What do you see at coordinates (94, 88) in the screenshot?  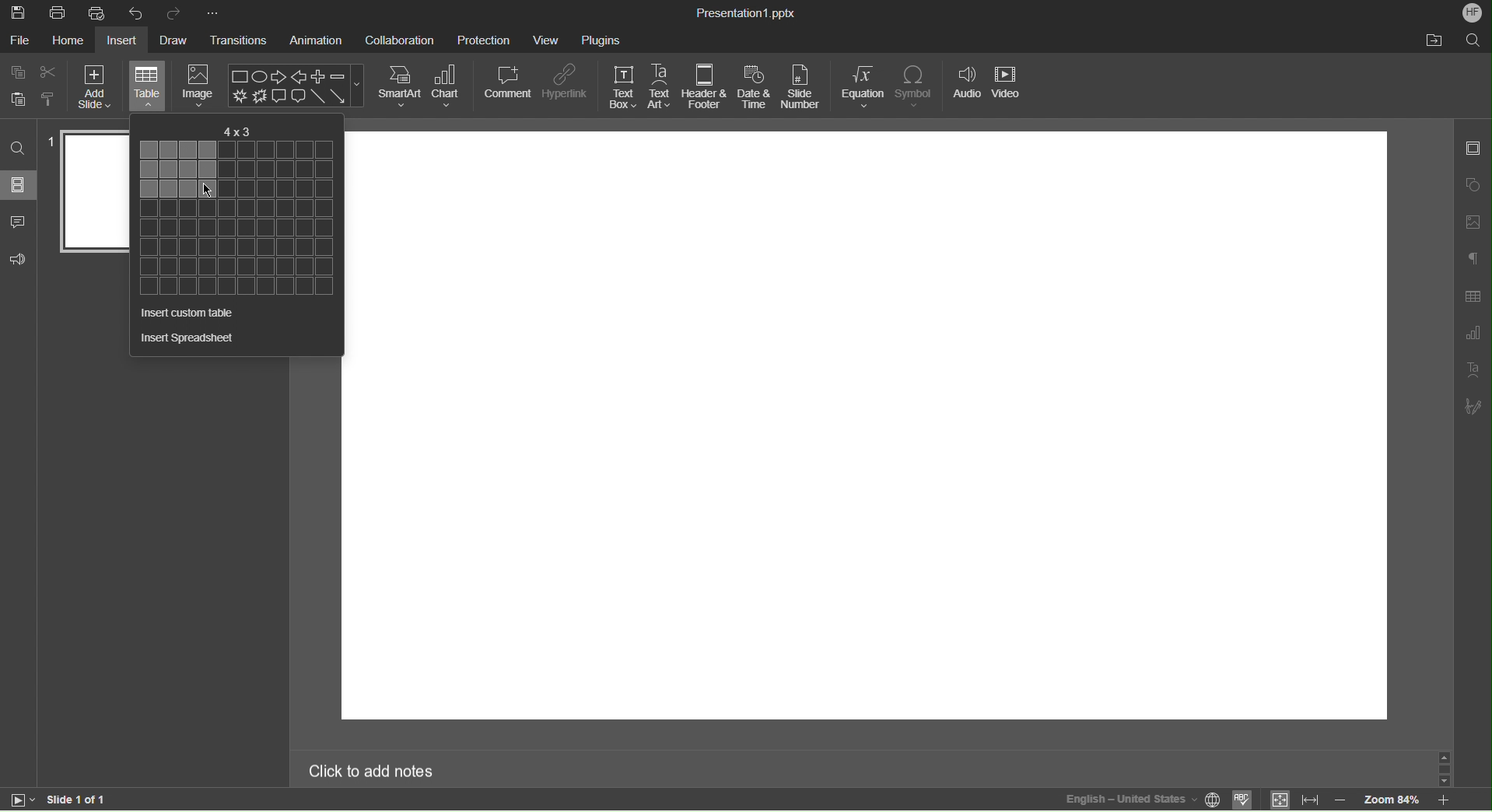 I see `Add Slide` at bounding box center [94, 88].